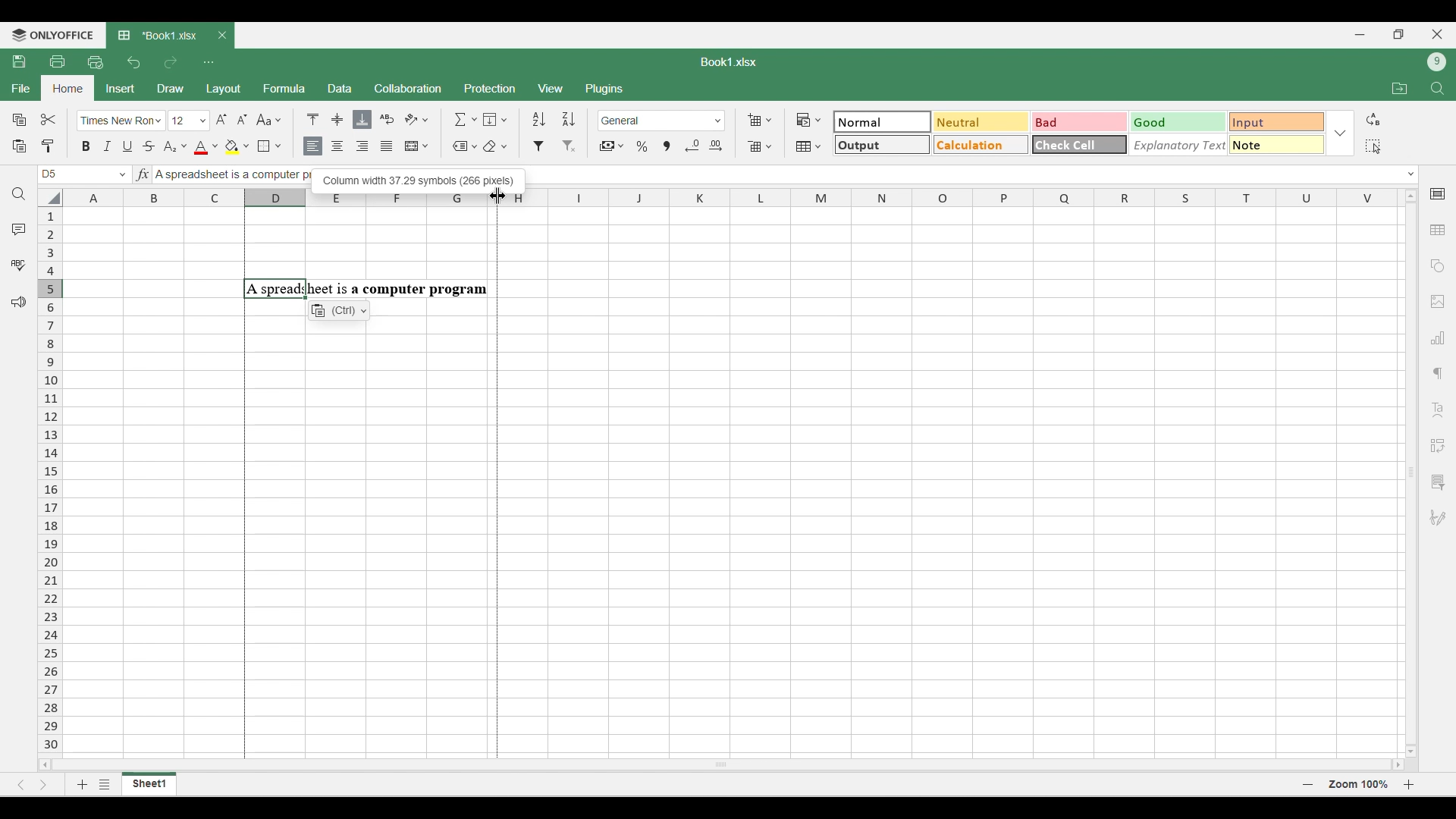 The height and width of the screenshot is (819, 1456). What do you see at coordinates (554, 119) in the screenshot?
I see `Sort options` at bounding box center [554, 119].